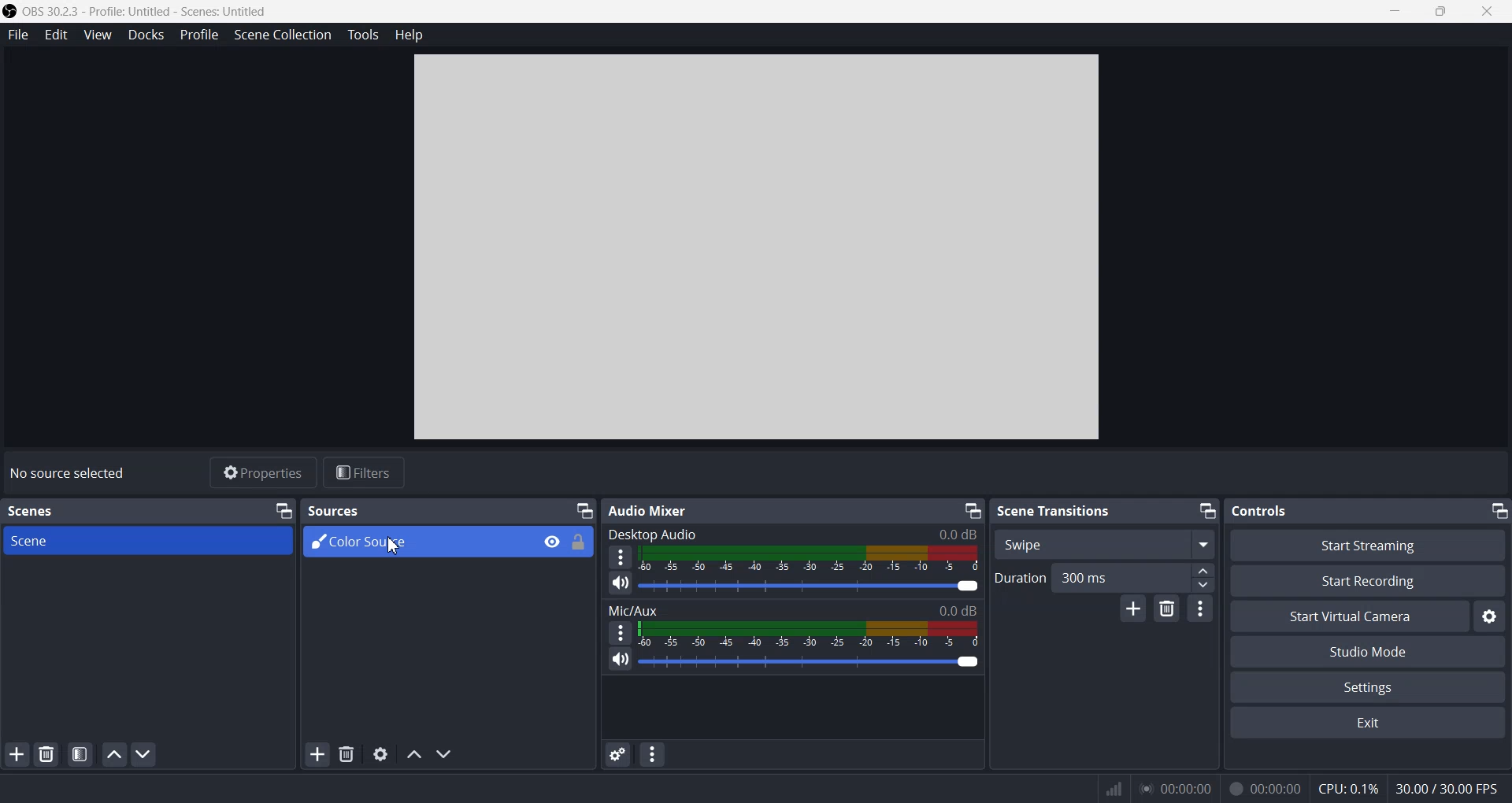 The height and width of the screenshot is (803, 1512). Describe the element at coordinates (67, 472) in the screenshot. I see `No source selected` at that location.